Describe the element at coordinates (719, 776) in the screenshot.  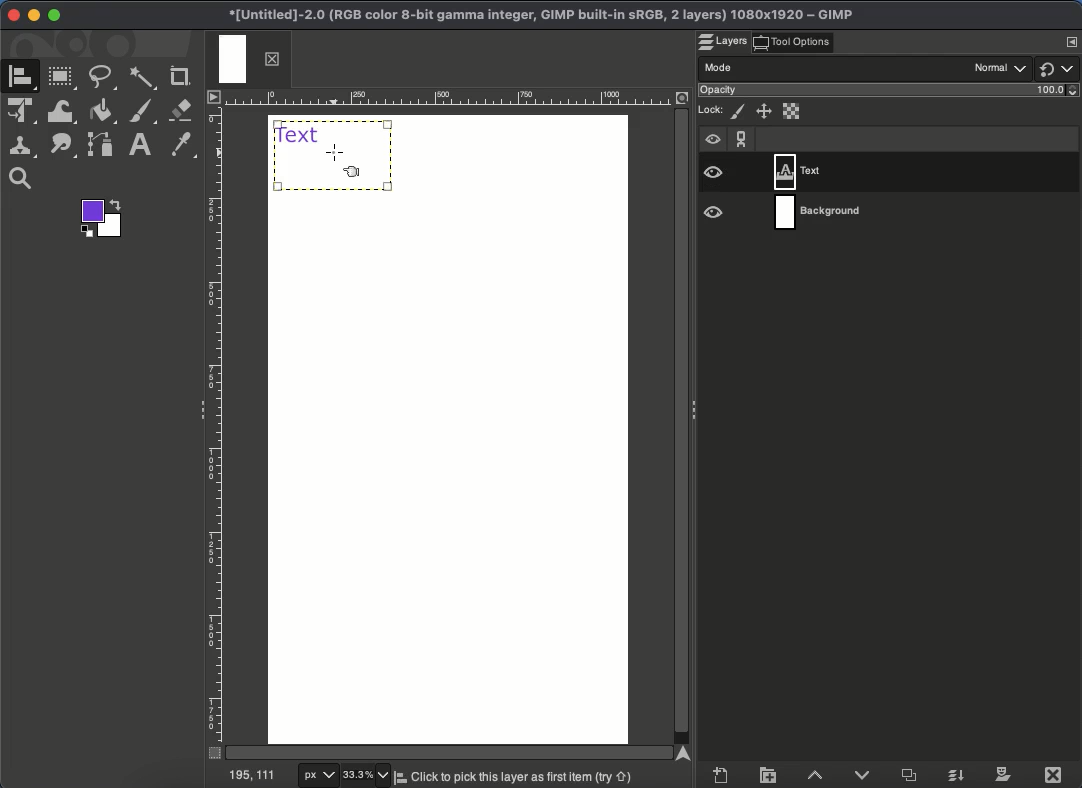
I see `Create new layer` at that location.